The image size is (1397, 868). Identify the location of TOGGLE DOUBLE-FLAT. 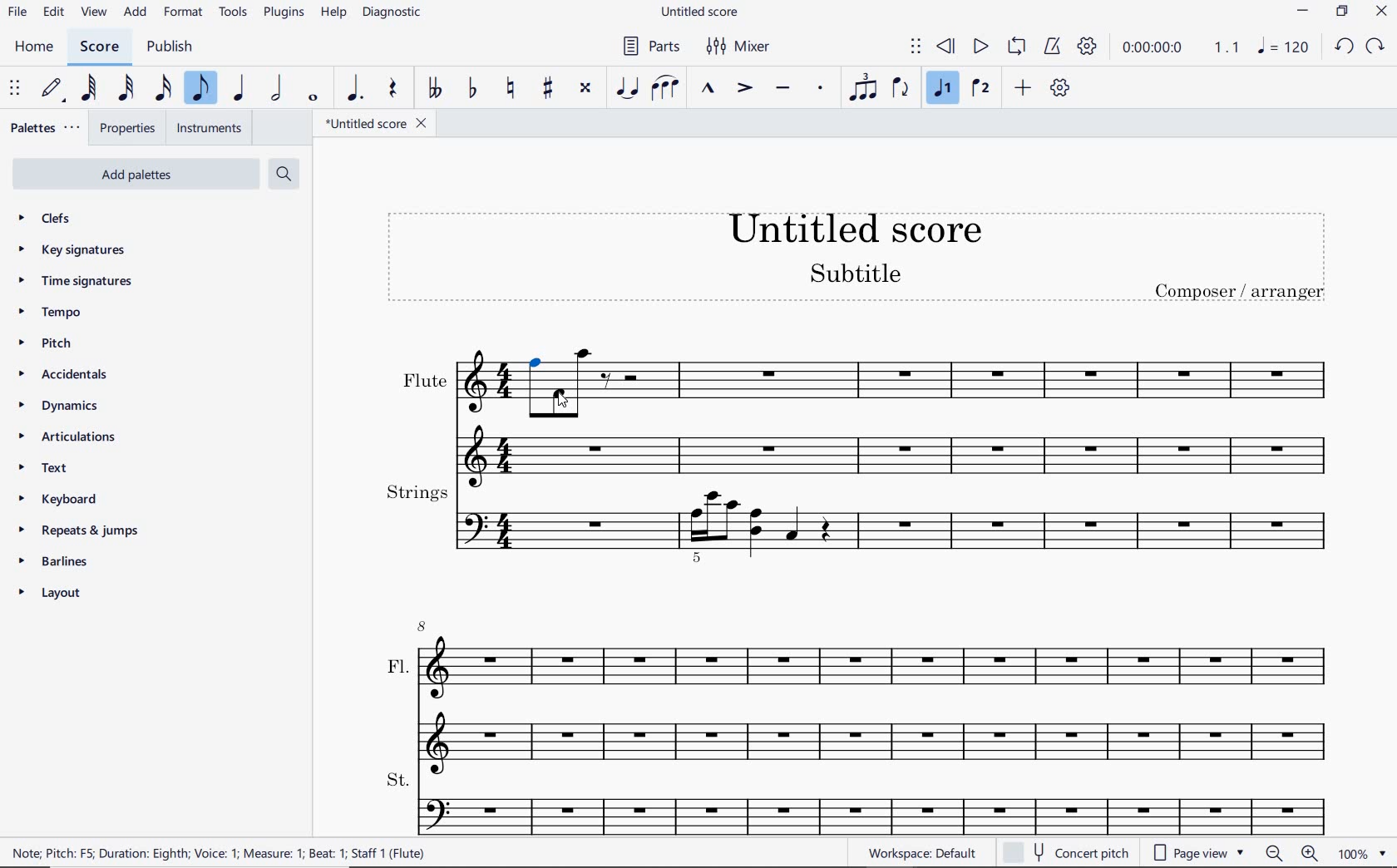
(435, 89).